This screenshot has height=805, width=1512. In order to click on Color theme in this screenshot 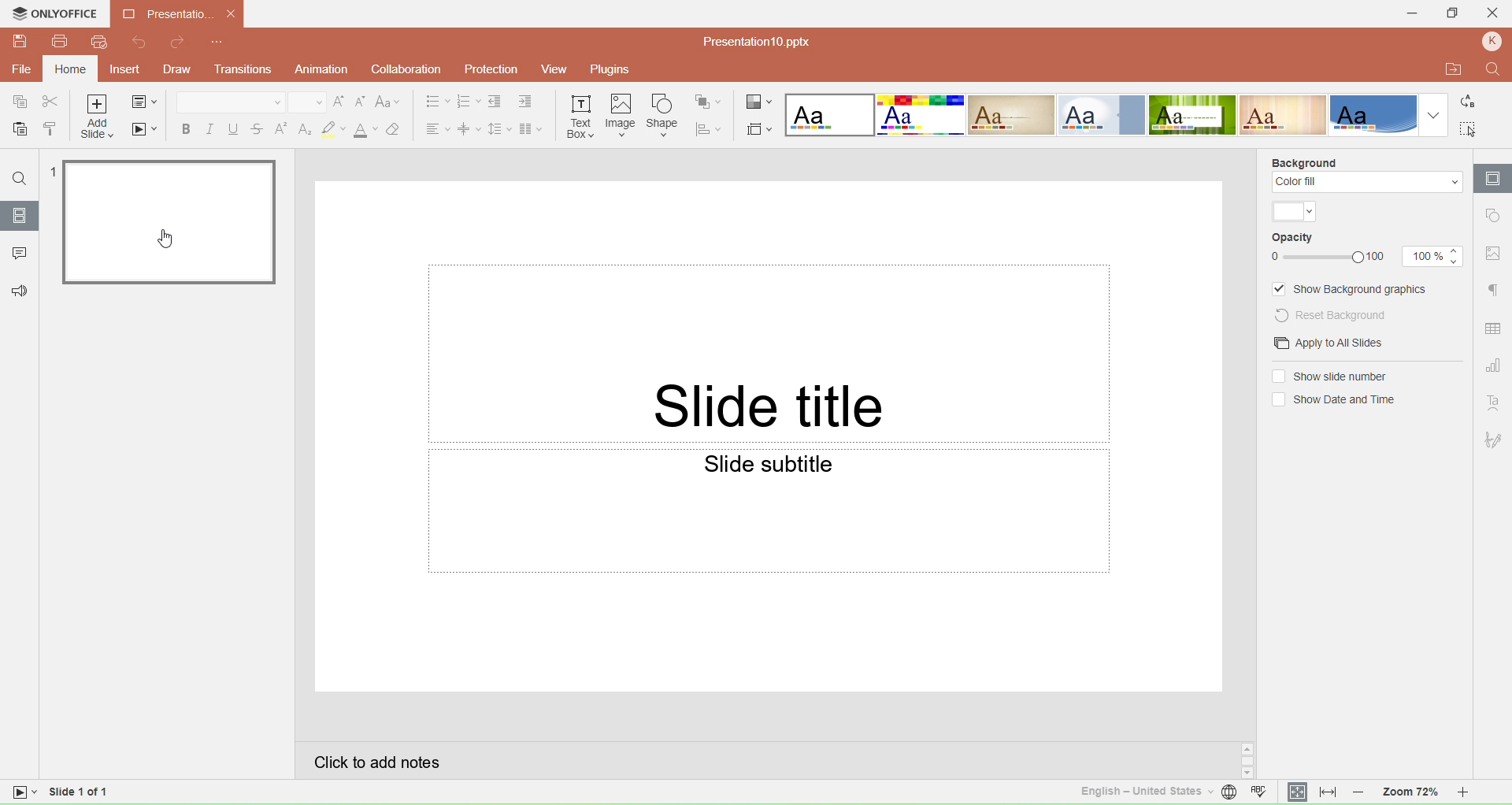, I will do `click(1295, 212)`.